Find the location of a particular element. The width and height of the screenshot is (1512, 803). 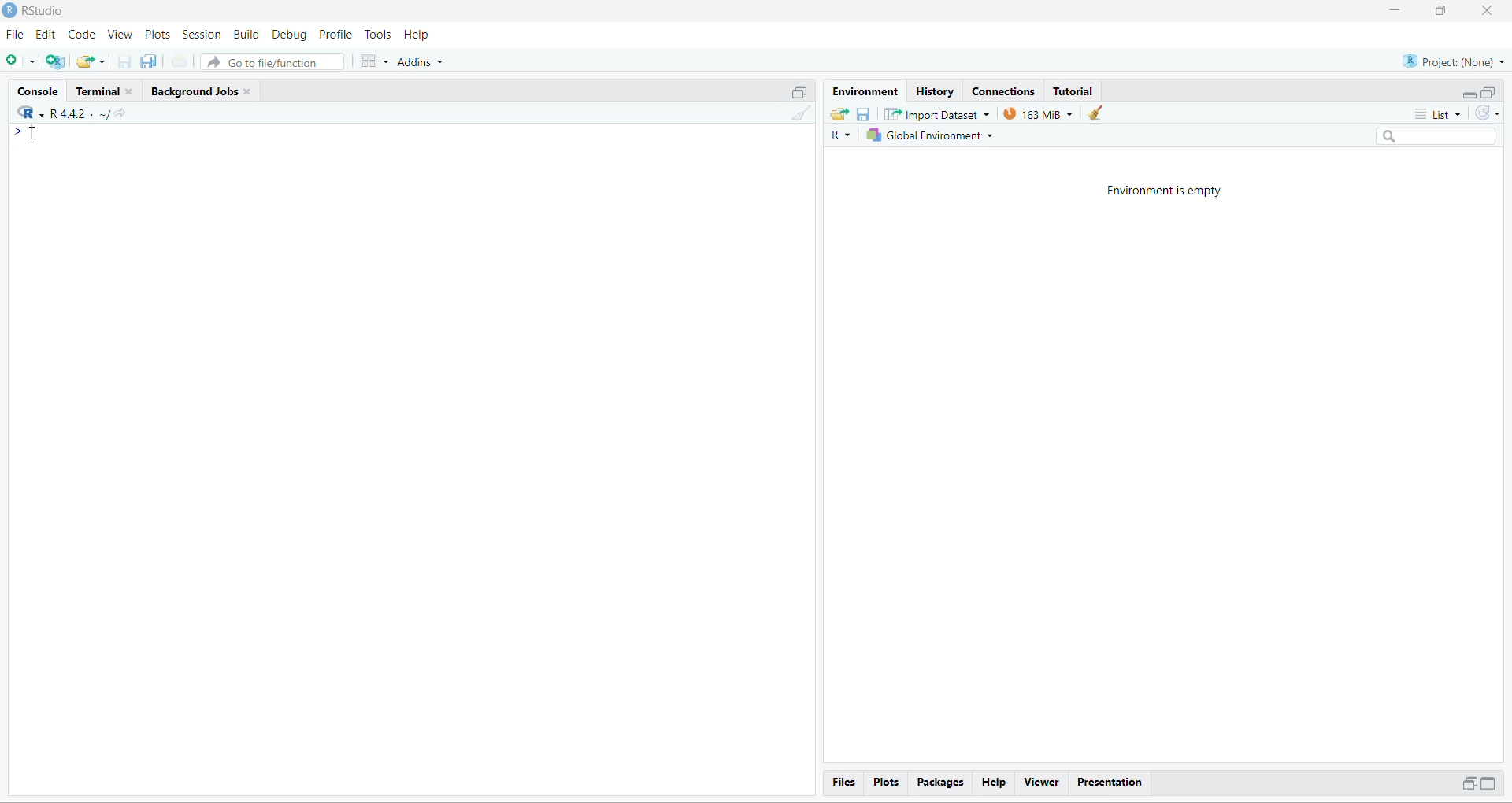

Plots is located at coordinates (159, 35).